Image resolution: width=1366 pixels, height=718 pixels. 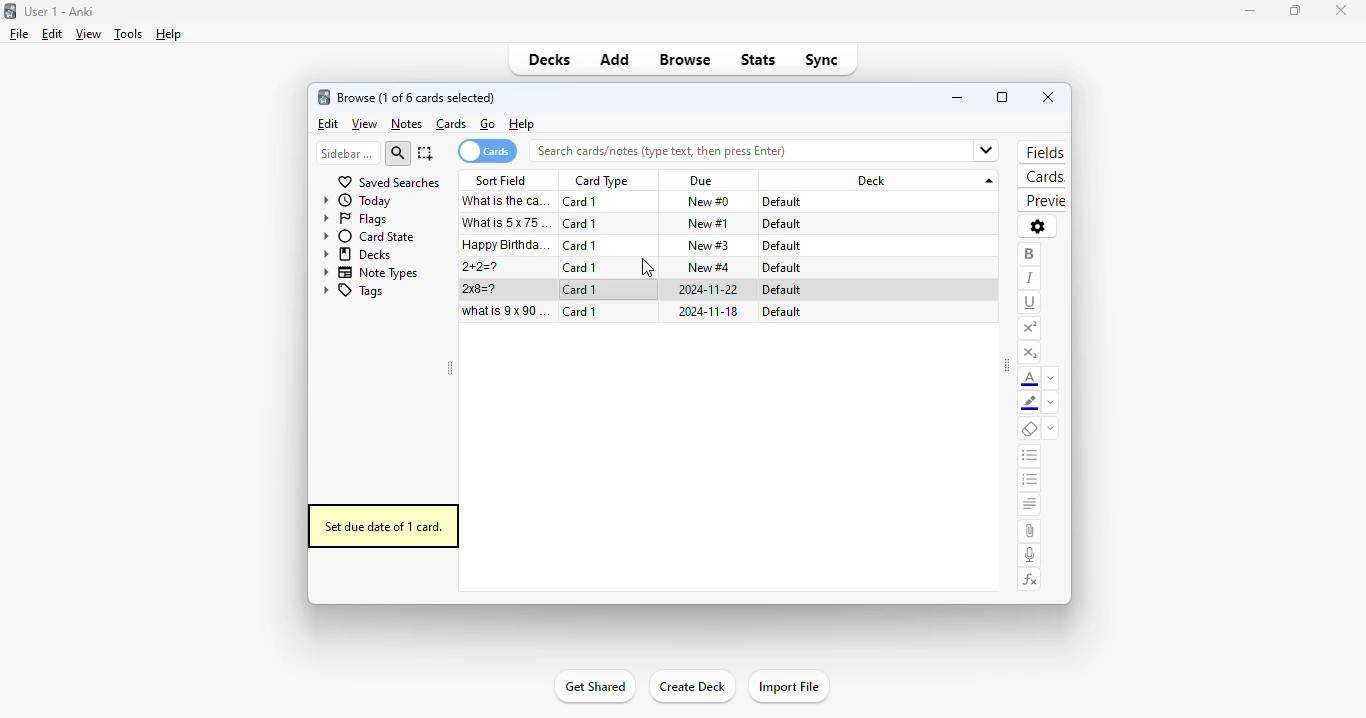 I want to click on get shared, so click(x=593, y=688).